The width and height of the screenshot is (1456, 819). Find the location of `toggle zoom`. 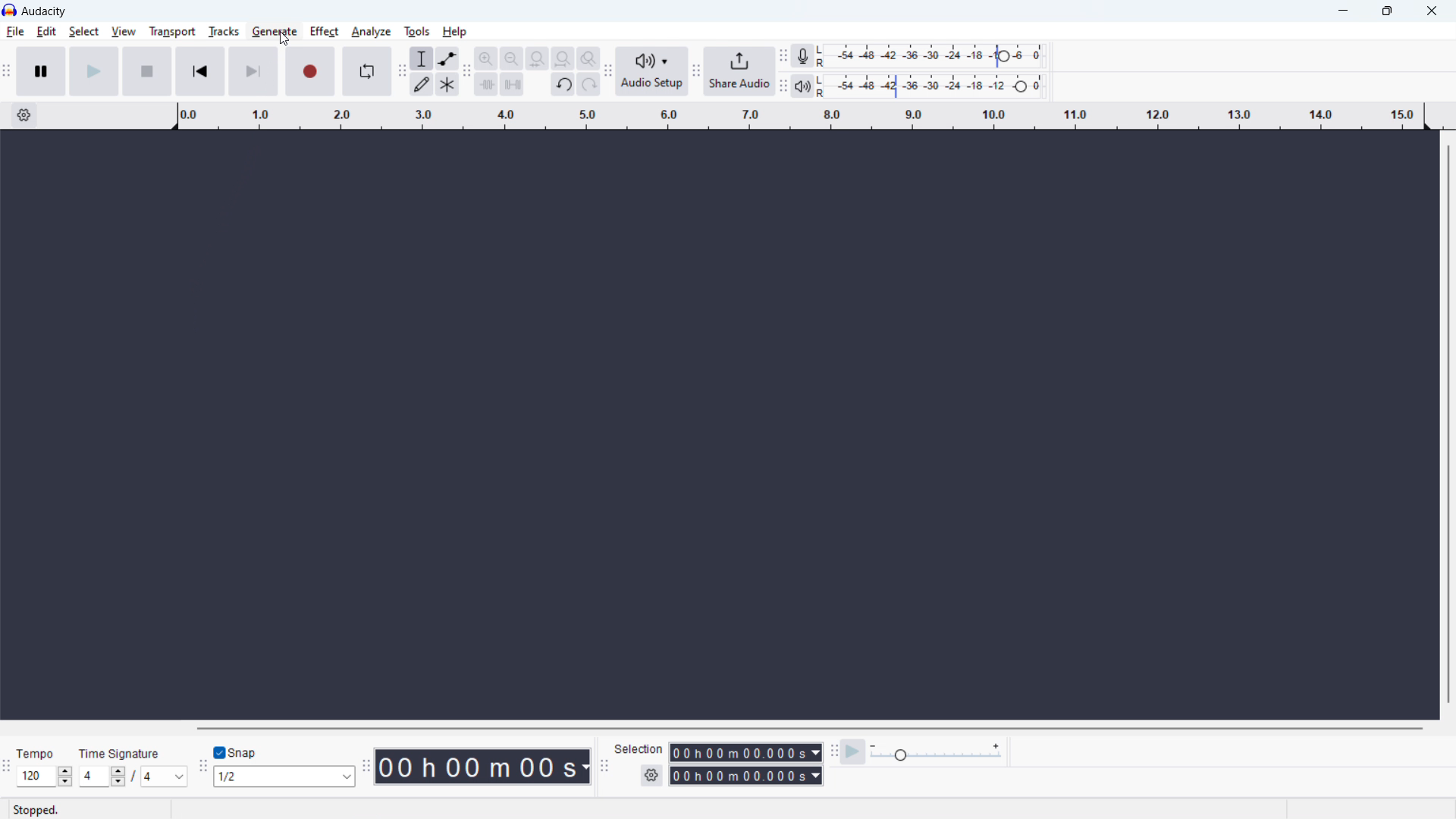

toggle zoom is located at coordinates (589, 58).